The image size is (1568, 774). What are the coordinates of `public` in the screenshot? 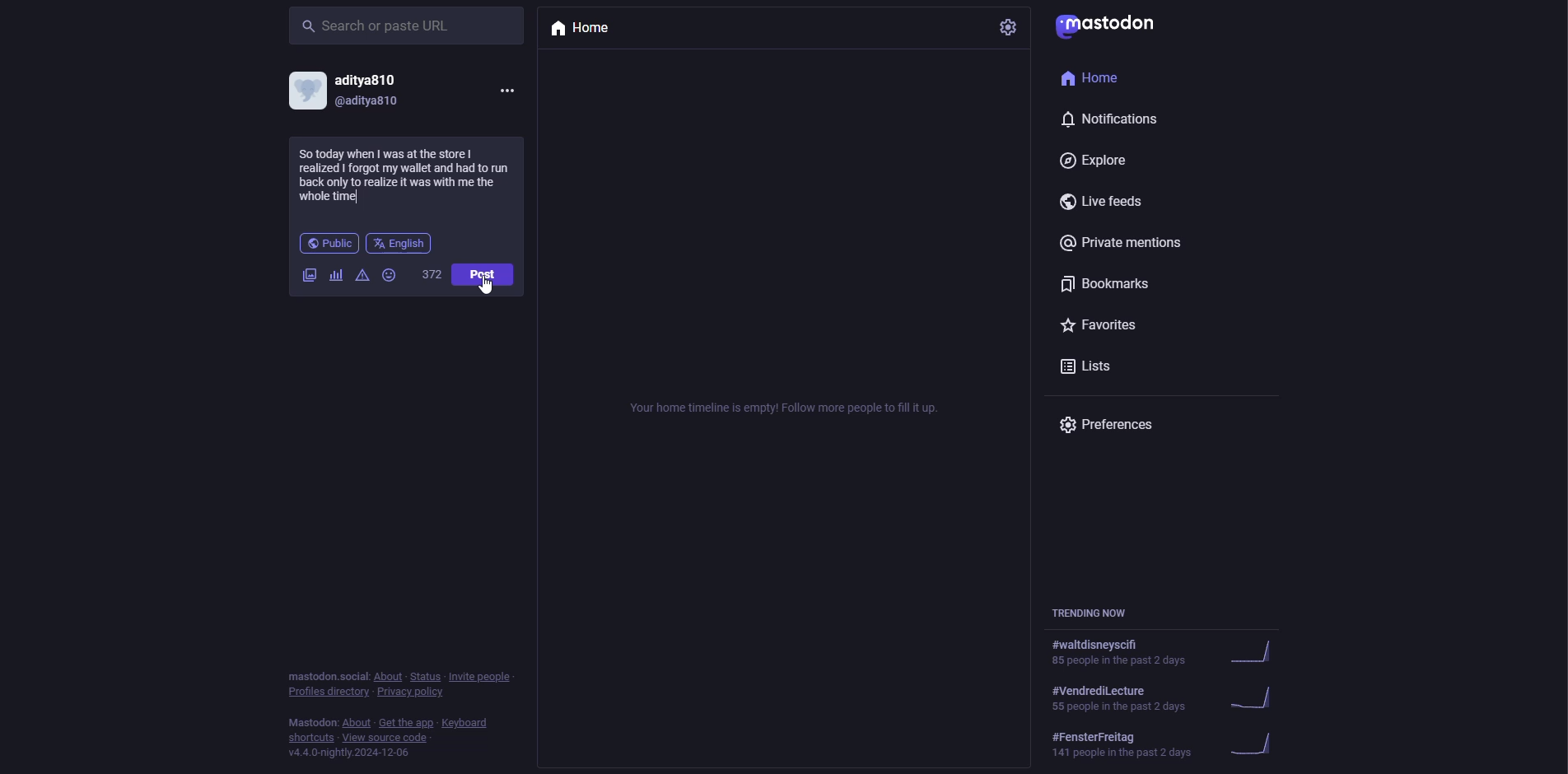 It's located at (327, 243).